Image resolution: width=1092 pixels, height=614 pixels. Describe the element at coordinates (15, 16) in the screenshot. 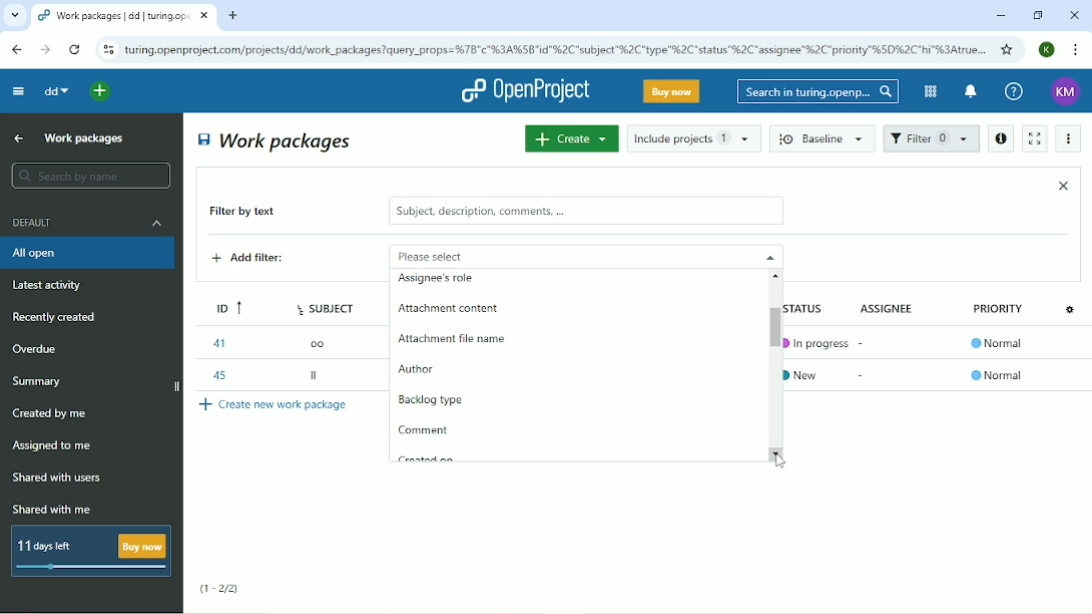

I see `Search tabs` at that location.